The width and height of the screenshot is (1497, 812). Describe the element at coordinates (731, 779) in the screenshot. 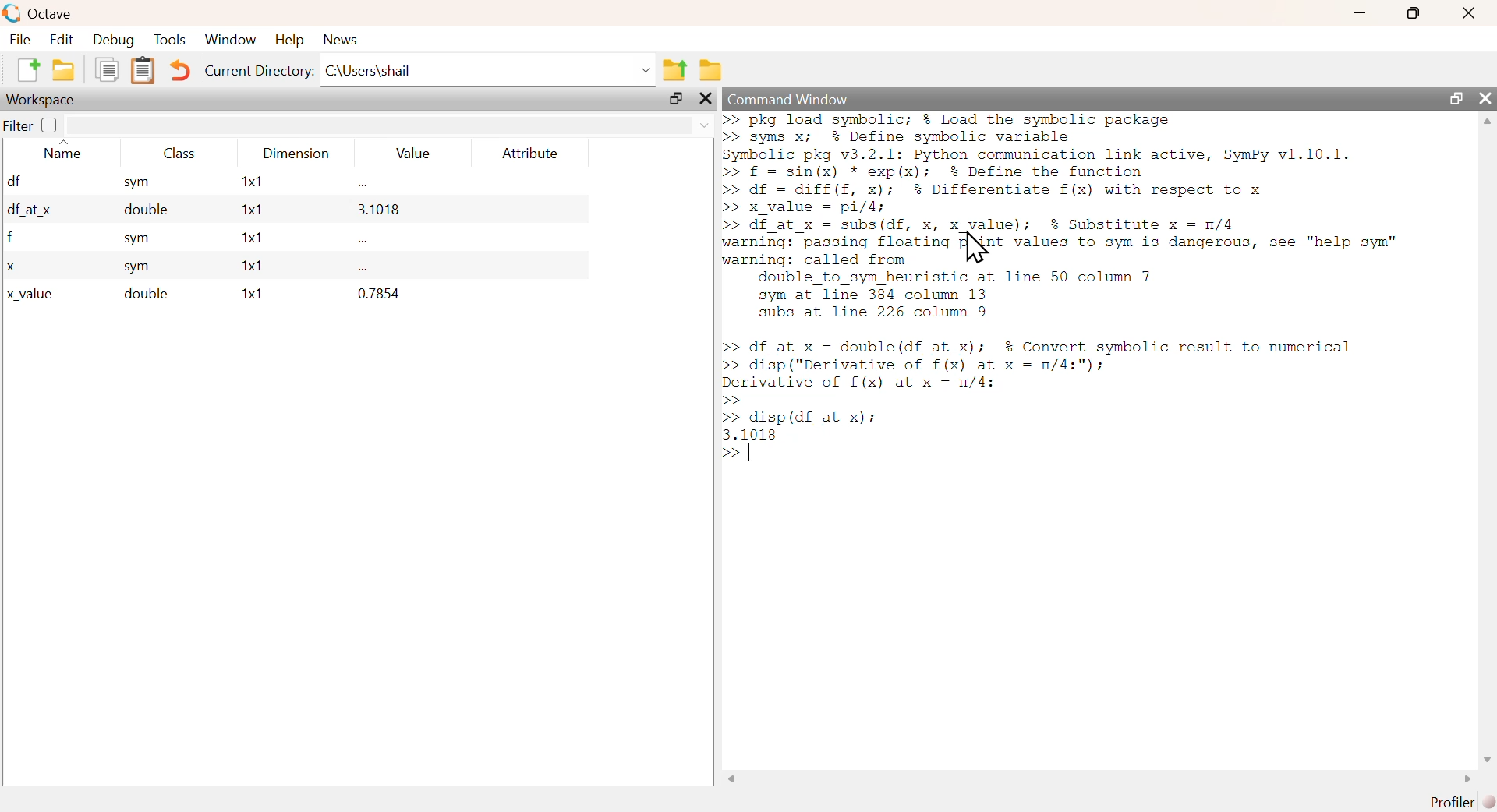

I see `scroll left` at that location.